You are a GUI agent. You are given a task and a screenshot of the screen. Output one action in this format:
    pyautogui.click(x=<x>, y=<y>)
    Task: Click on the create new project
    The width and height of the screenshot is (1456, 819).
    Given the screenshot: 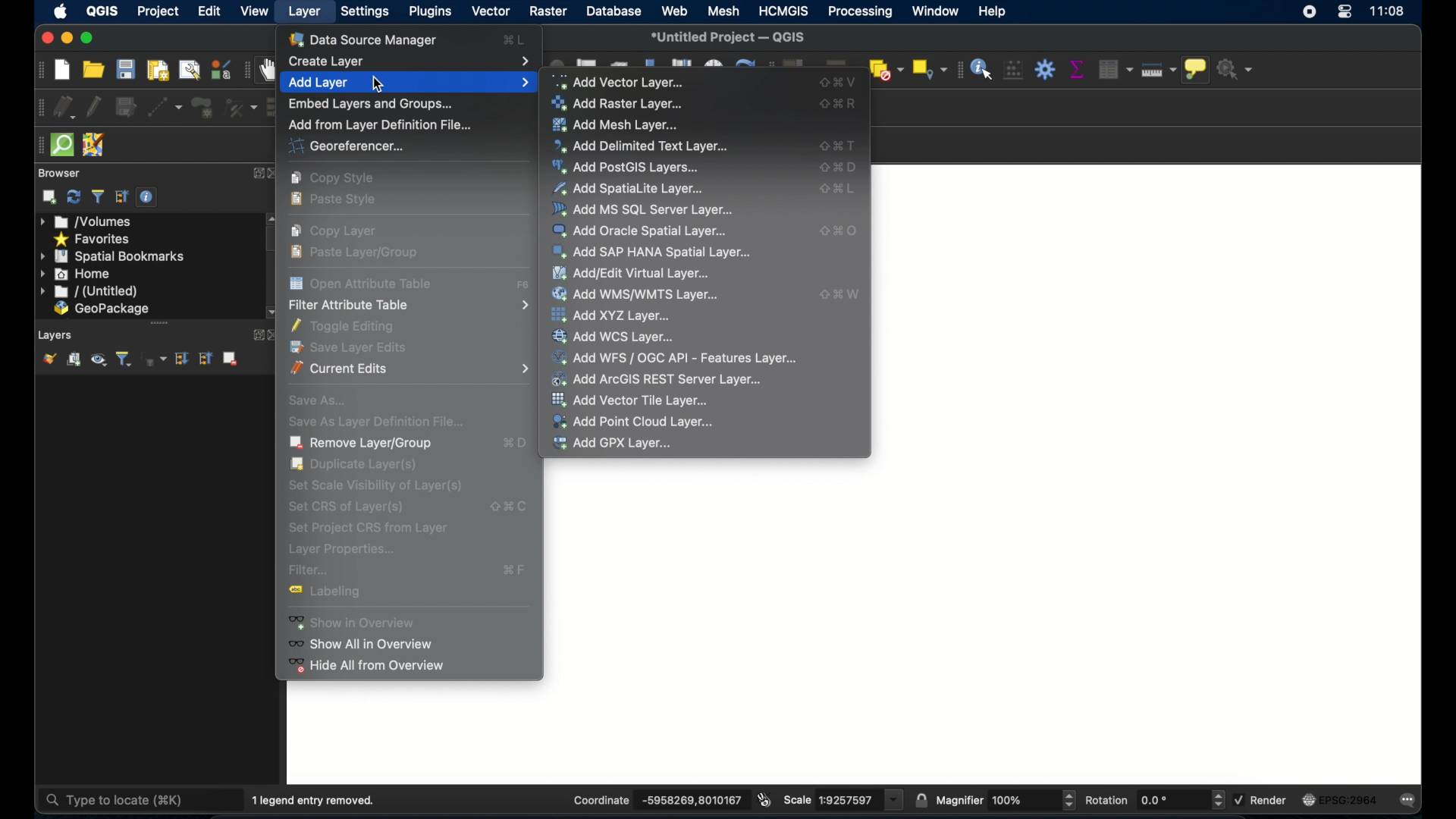 What is the action you would take?
    pyautogui.click(x=61, y=70)
    